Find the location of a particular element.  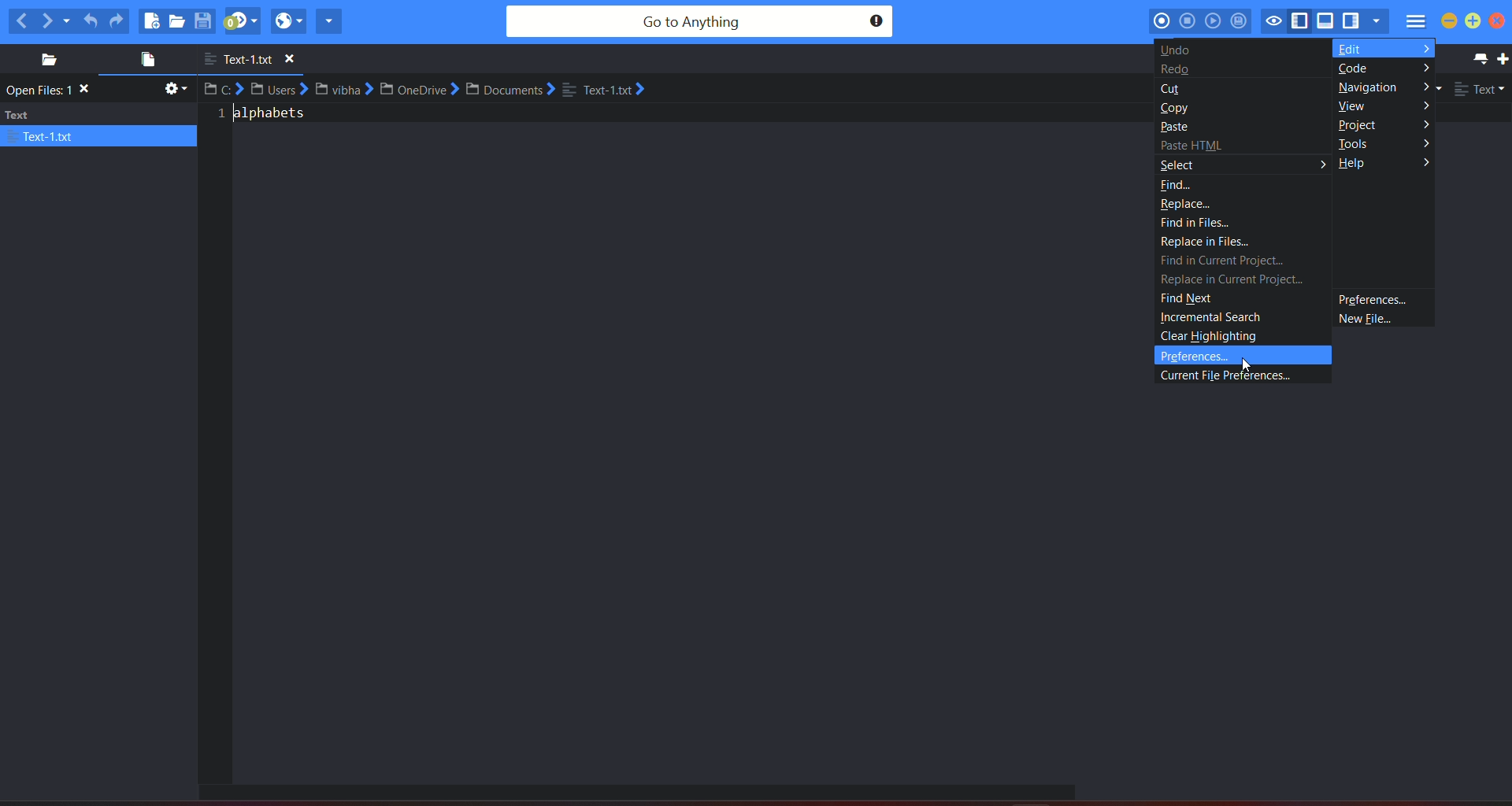

file path is located at coordinates (431, 90).